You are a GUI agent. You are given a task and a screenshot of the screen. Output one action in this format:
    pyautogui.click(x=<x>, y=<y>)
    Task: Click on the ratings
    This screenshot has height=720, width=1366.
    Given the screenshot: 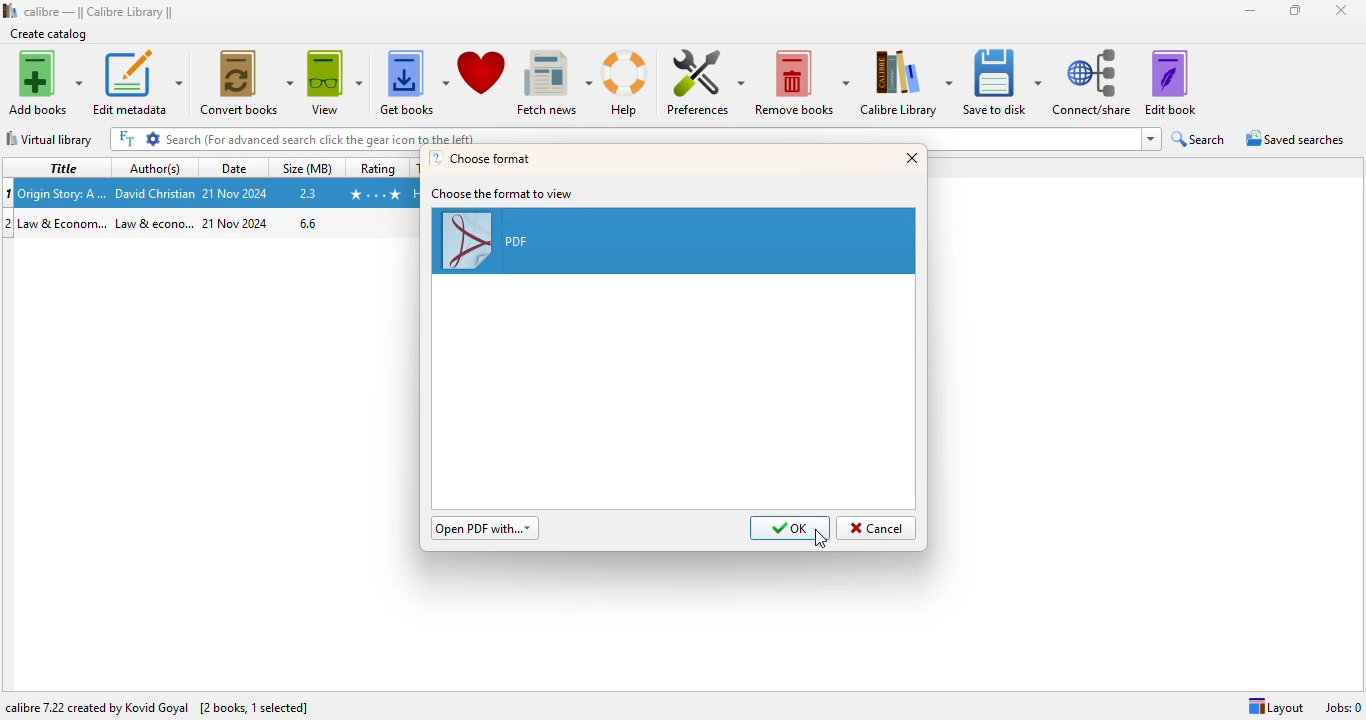 What is the action you would take?
    pyautogui.click(x=374, y=195)
    